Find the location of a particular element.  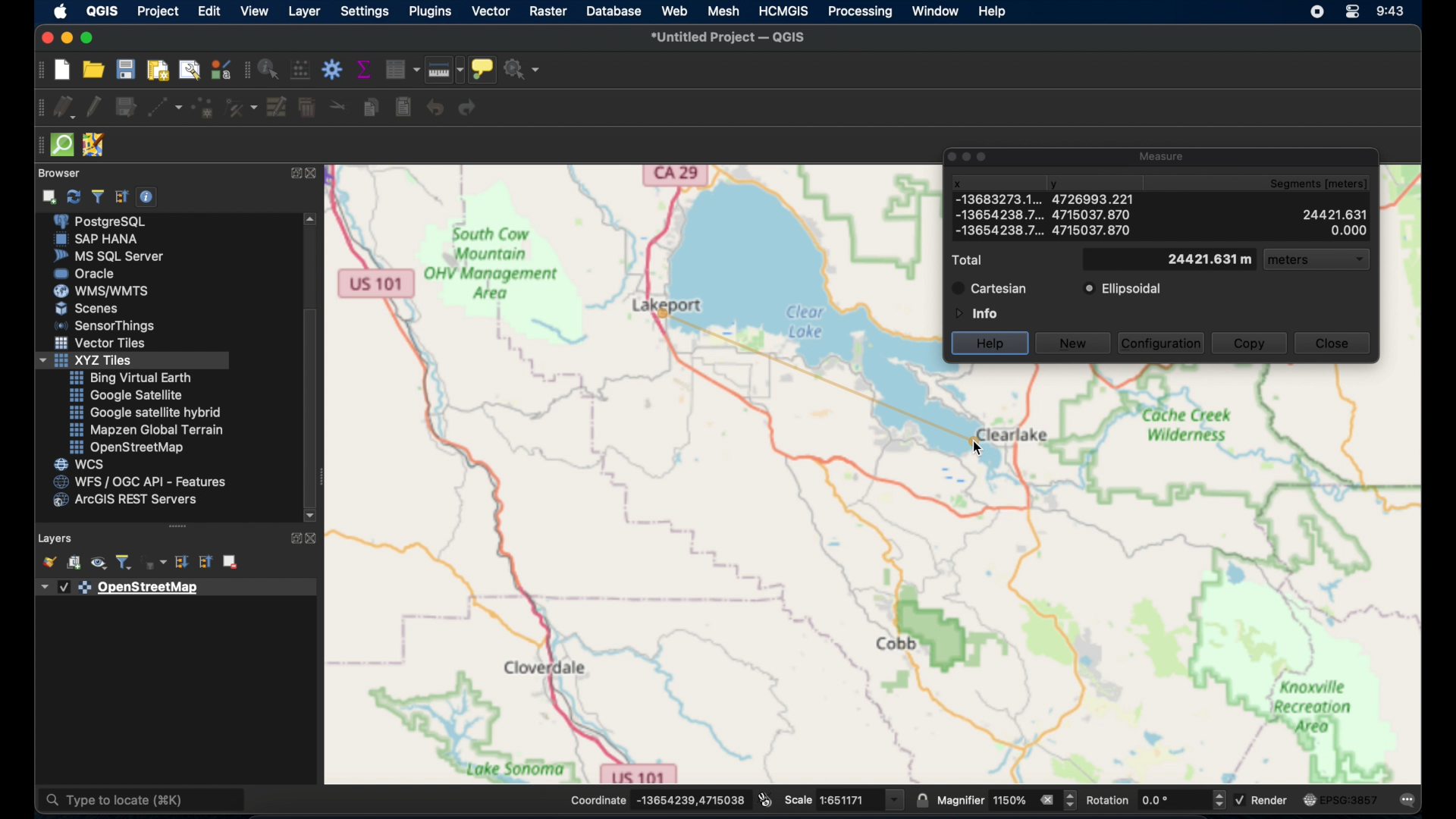

close is located at coordinates (313, 538).